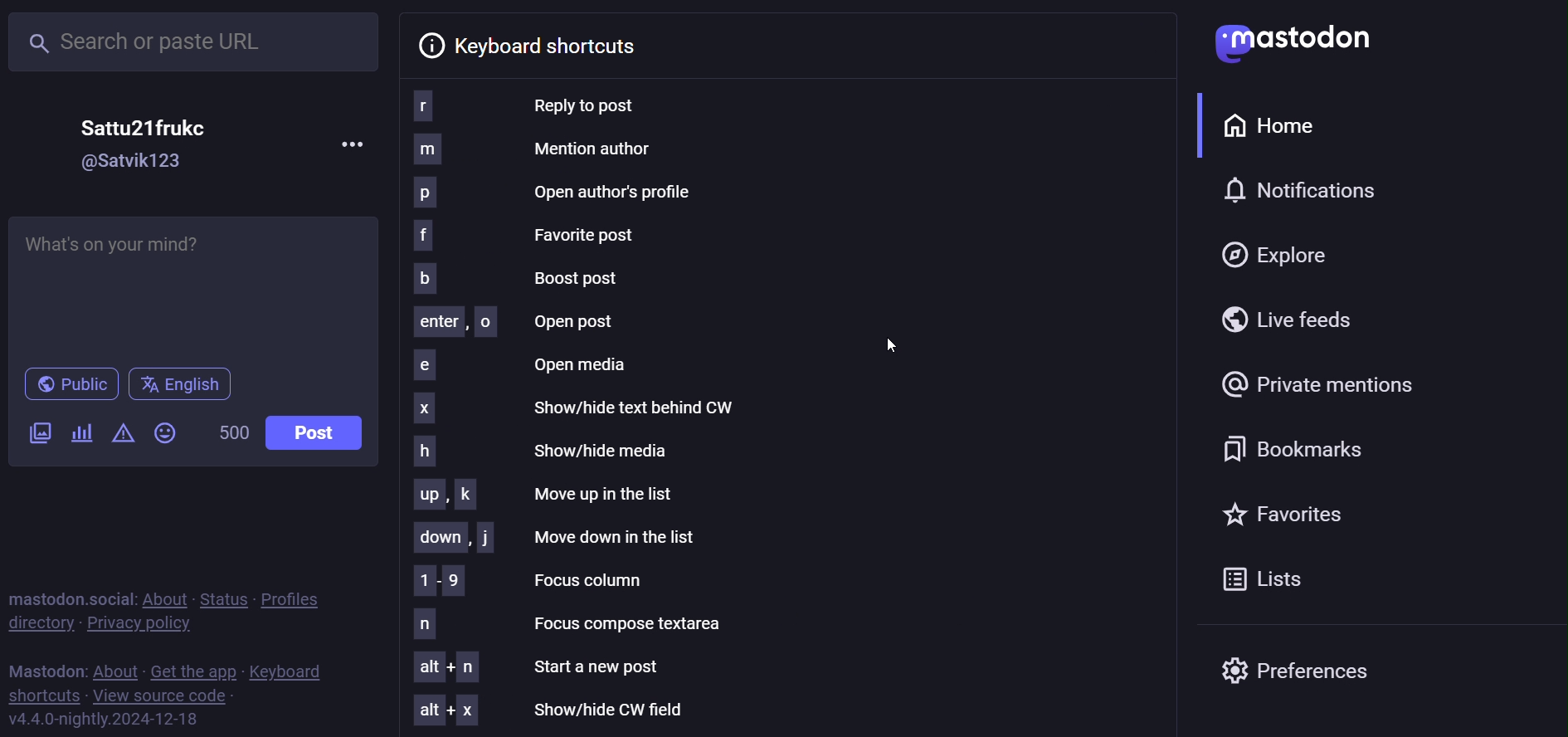 Image resolution: width=1568 pixels, height=737 pixels. Describe the element at coordinates (115, 667) in the screenshot. I see `about` at that location.